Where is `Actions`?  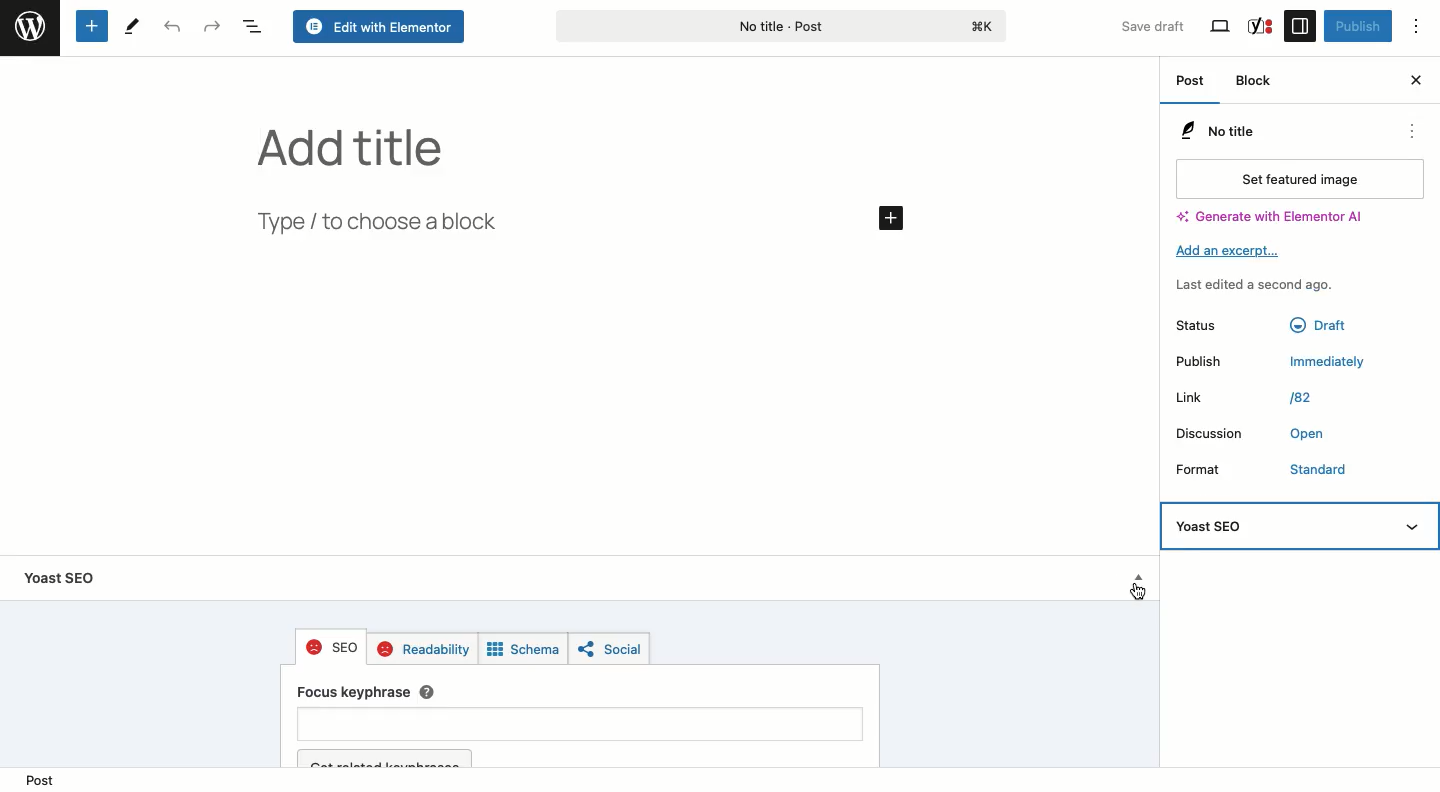 Actions is located at coordinates (1408, 131).